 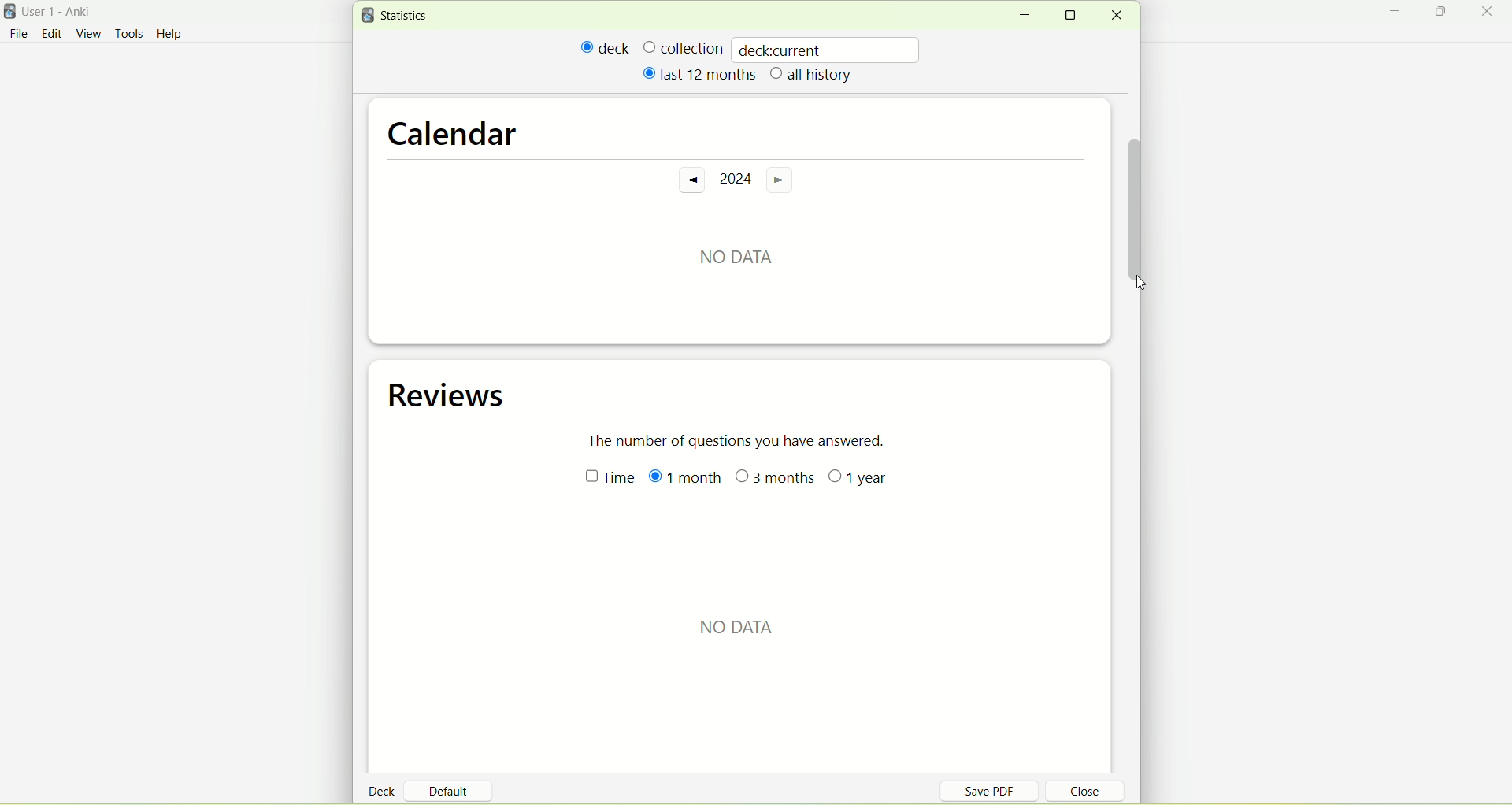 I want to click on time, so click(x=602, y=480).